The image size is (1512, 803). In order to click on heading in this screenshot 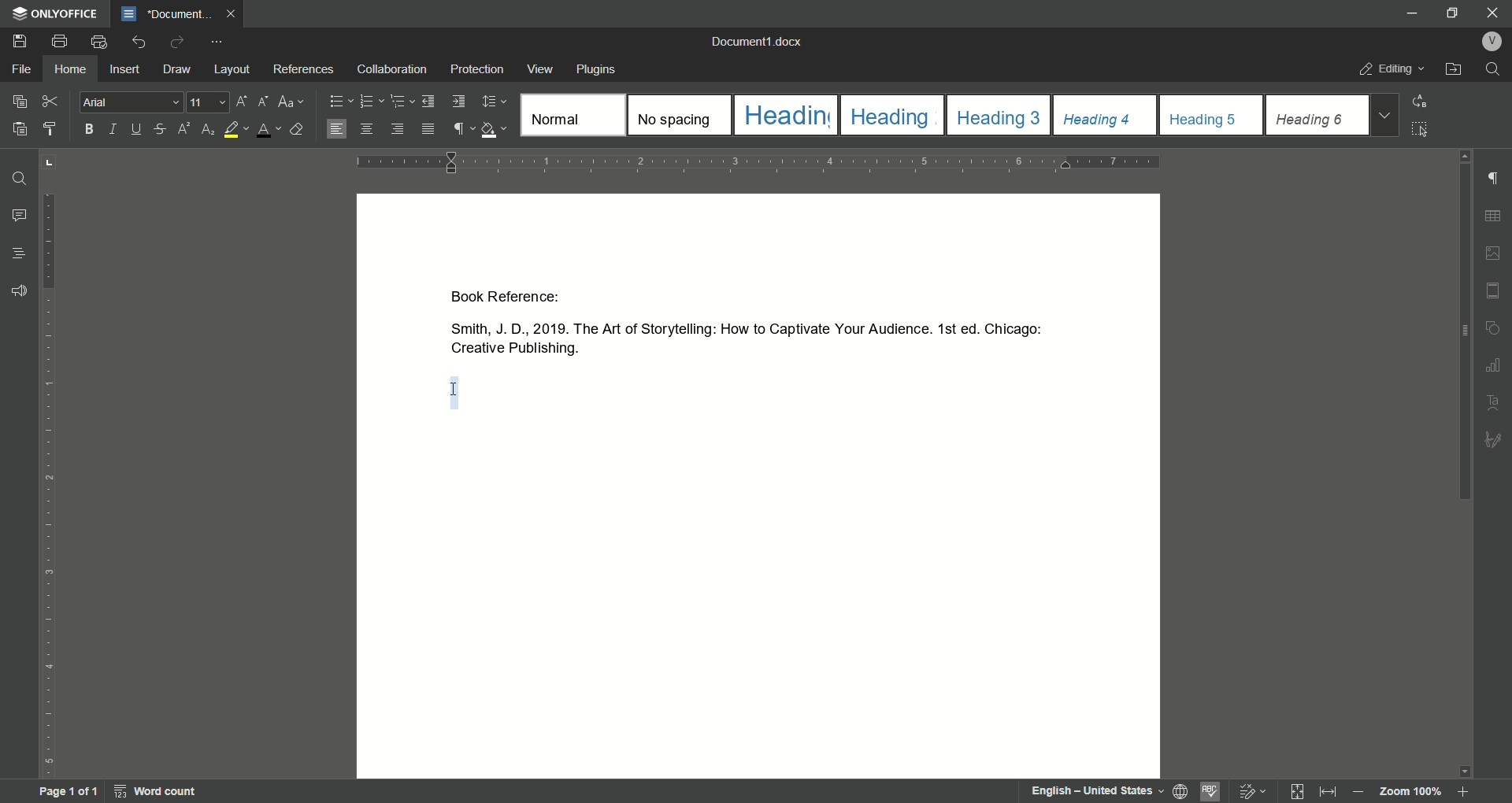, I will do `click(17, 253)`.